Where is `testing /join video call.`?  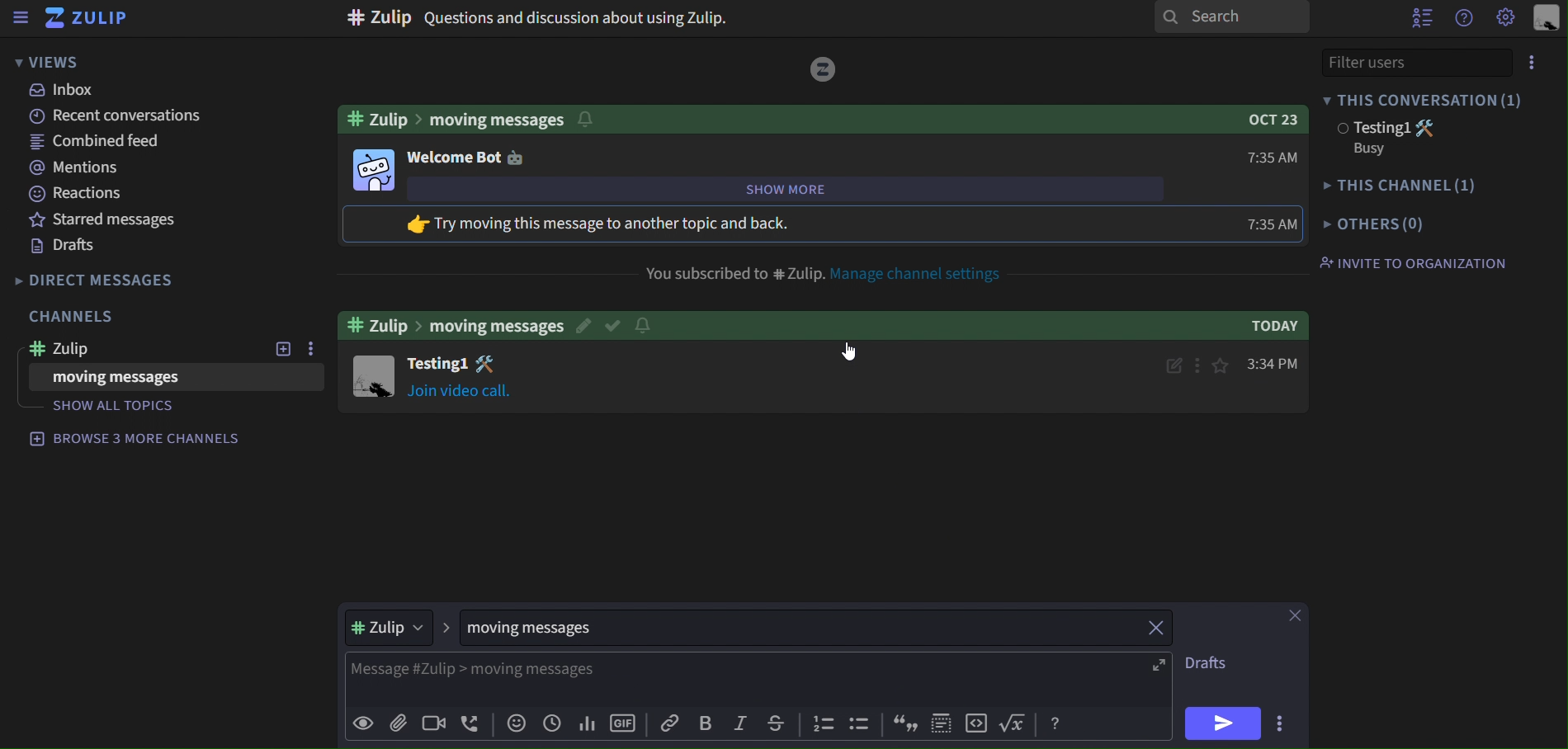
testing /join video call. is located at coordinates (459, 379).